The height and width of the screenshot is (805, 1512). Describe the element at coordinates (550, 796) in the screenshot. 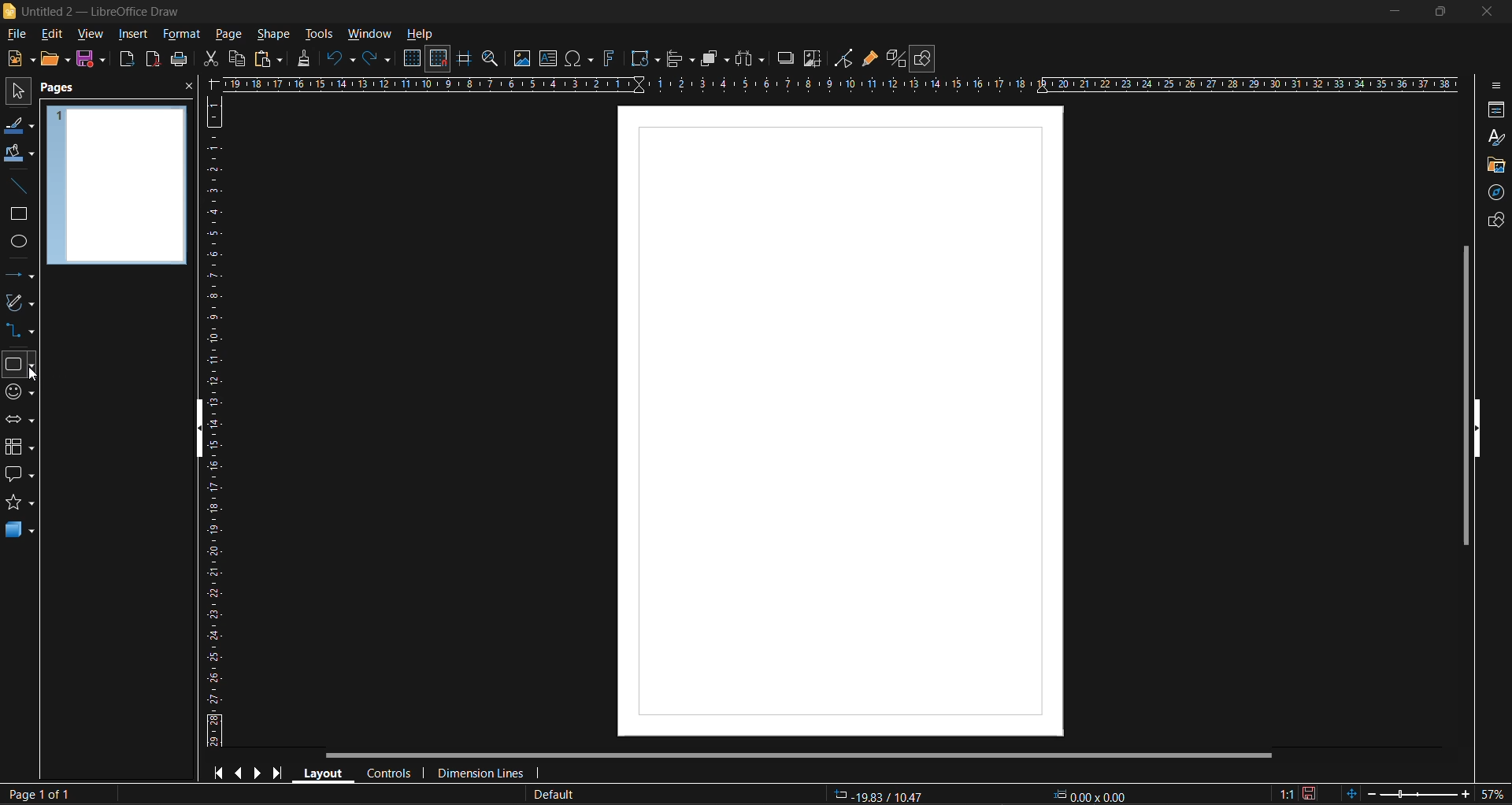

I see `slide master name` at that location.